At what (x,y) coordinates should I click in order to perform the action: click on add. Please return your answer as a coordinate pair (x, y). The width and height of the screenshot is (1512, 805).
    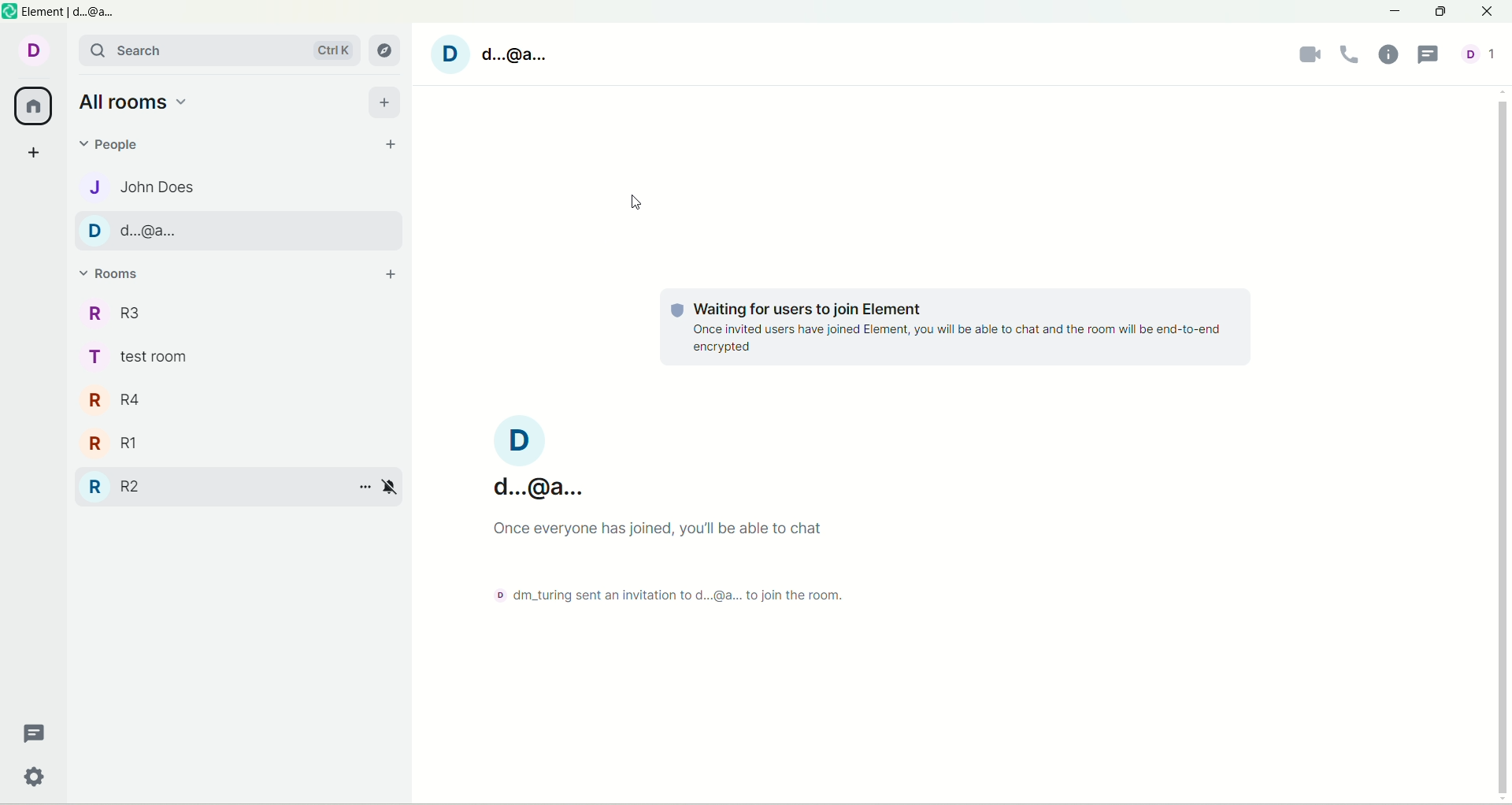
    Looking at the image, I should click on (398, 273).